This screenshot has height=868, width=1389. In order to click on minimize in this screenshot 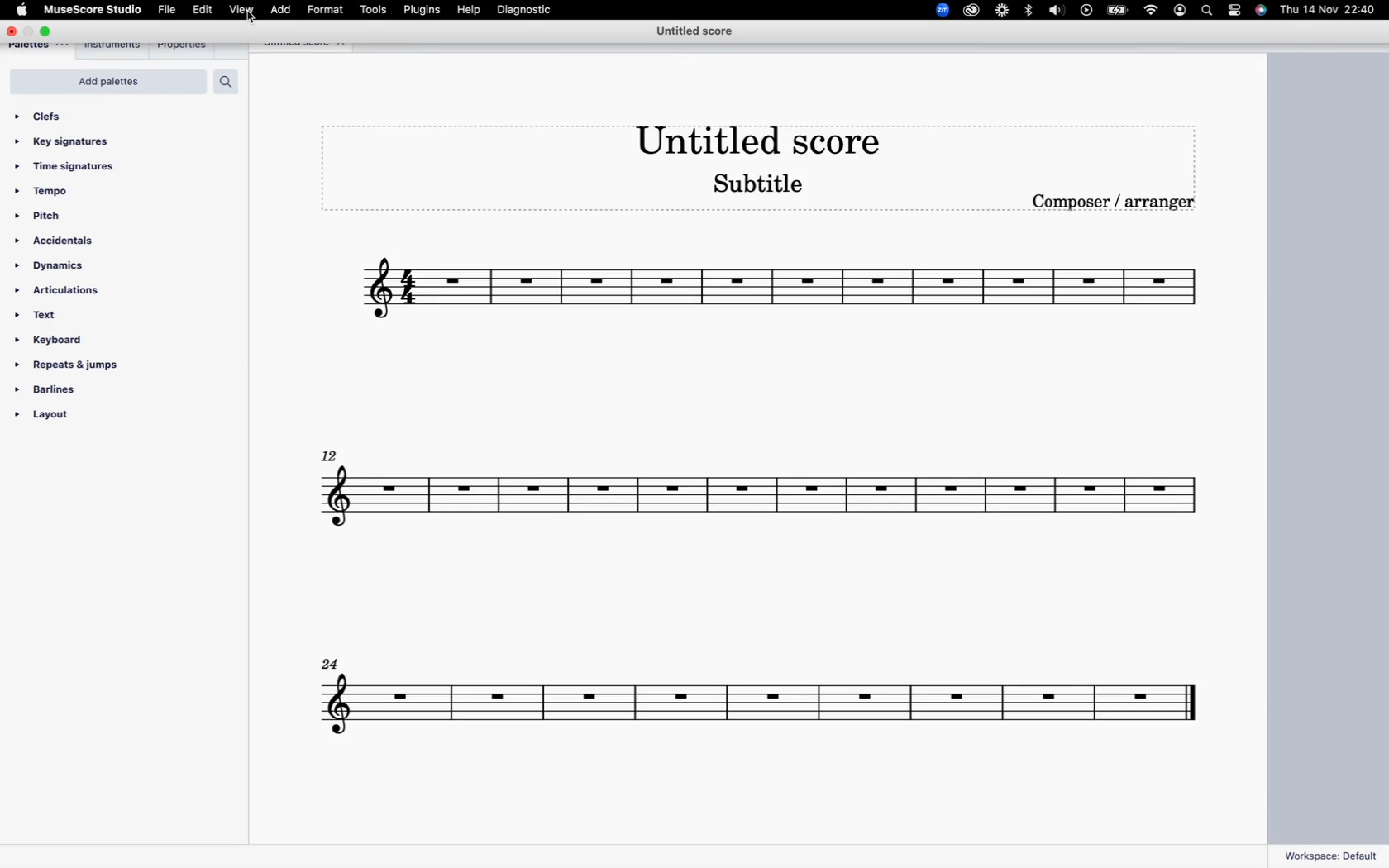, I will do `click(30, 31)`.